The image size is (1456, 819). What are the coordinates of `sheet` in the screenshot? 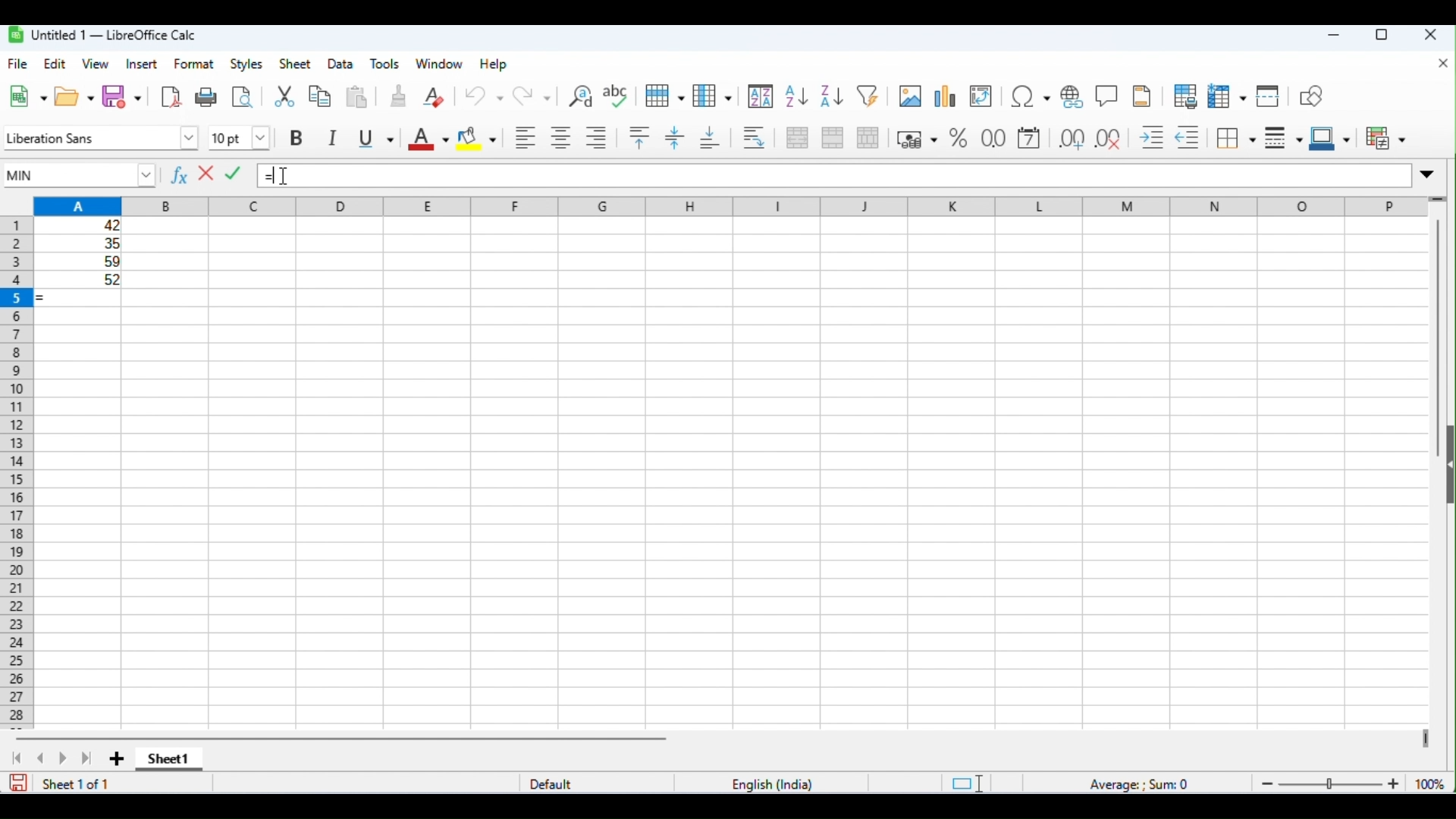 It's located at (294, 64).